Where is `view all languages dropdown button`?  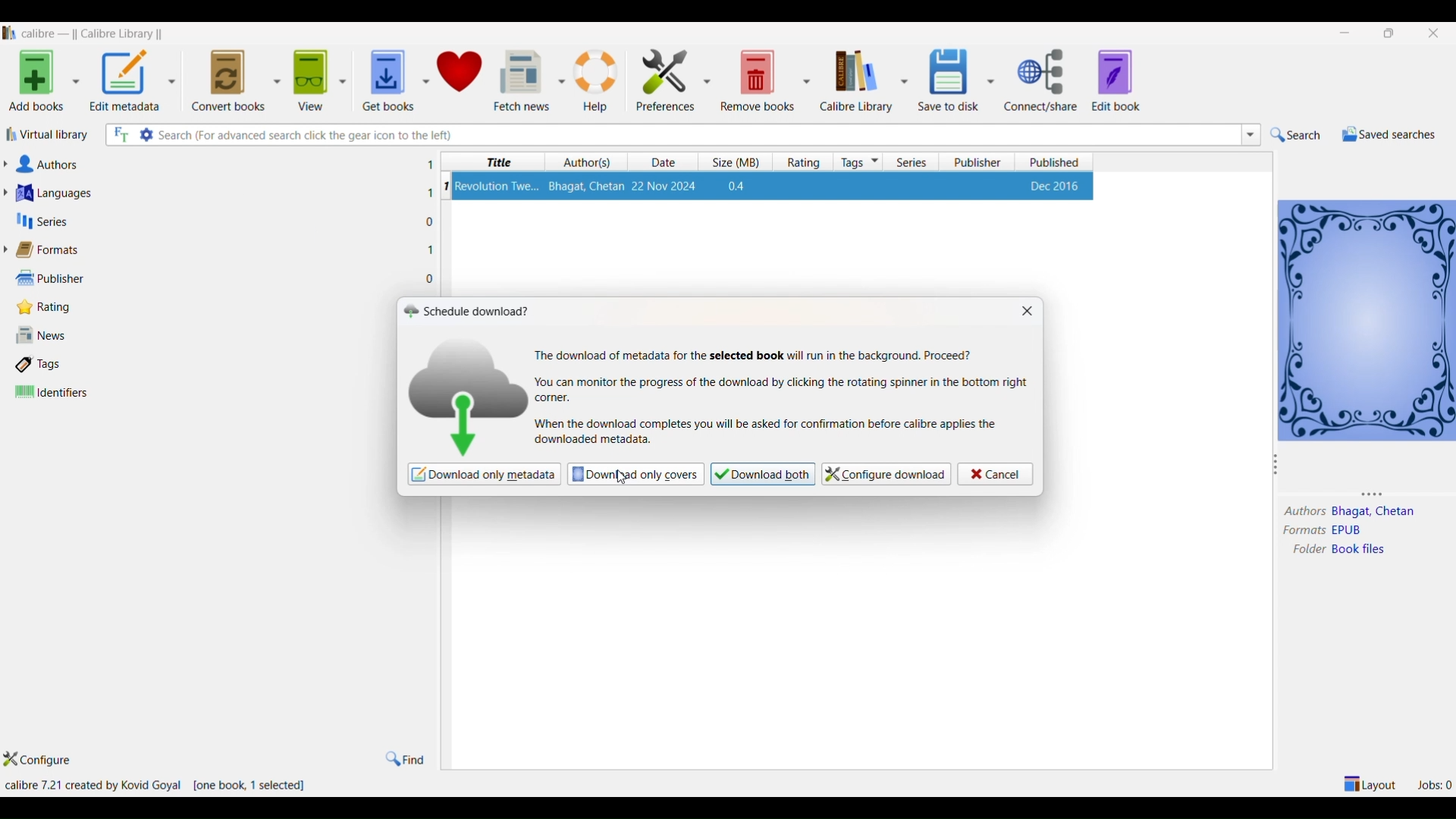
view all languages dropdown button is located at coordinates (10, 193).